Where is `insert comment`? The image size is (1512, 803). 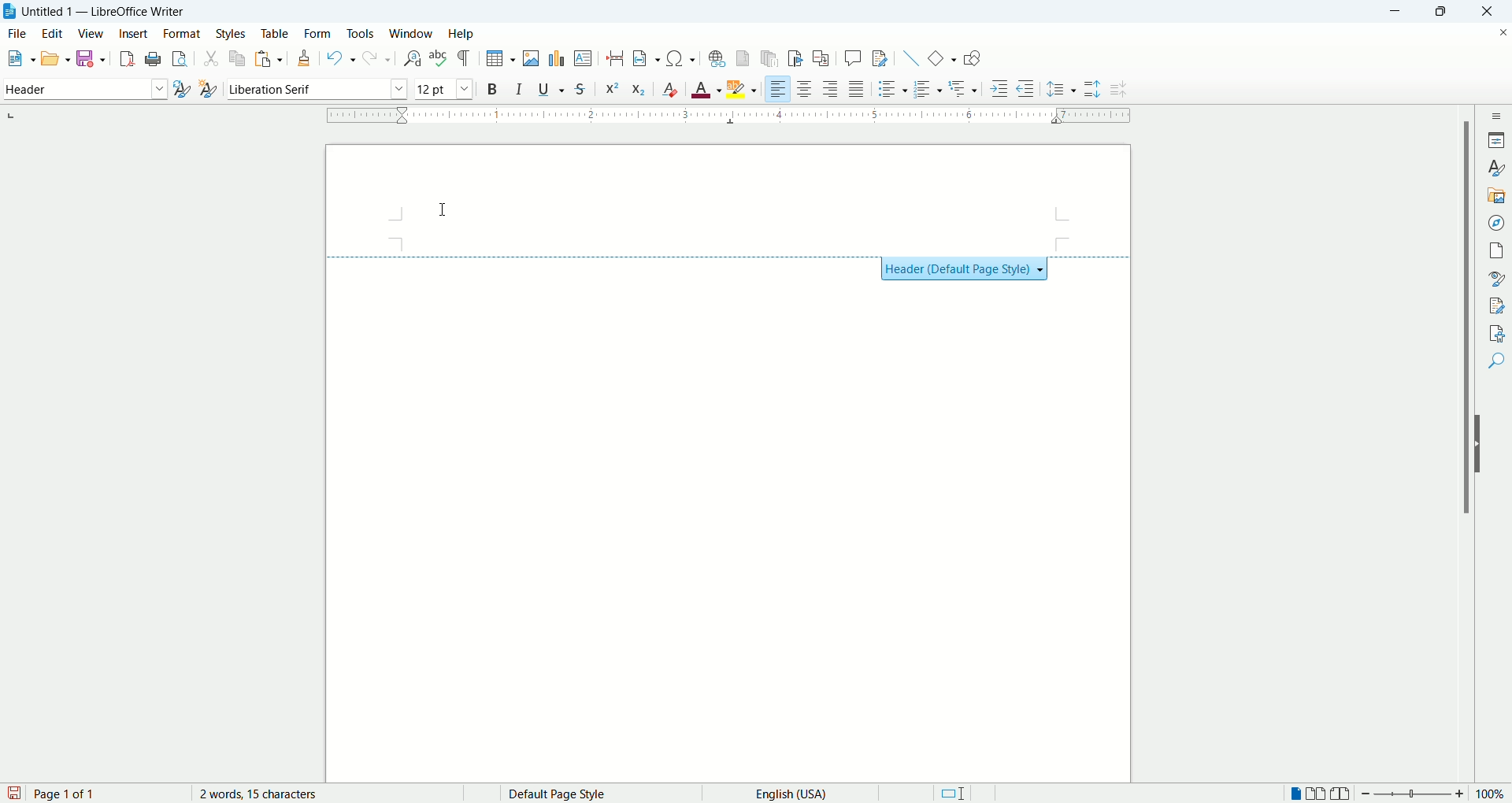
insert comment is located at coordinates (854, 57).